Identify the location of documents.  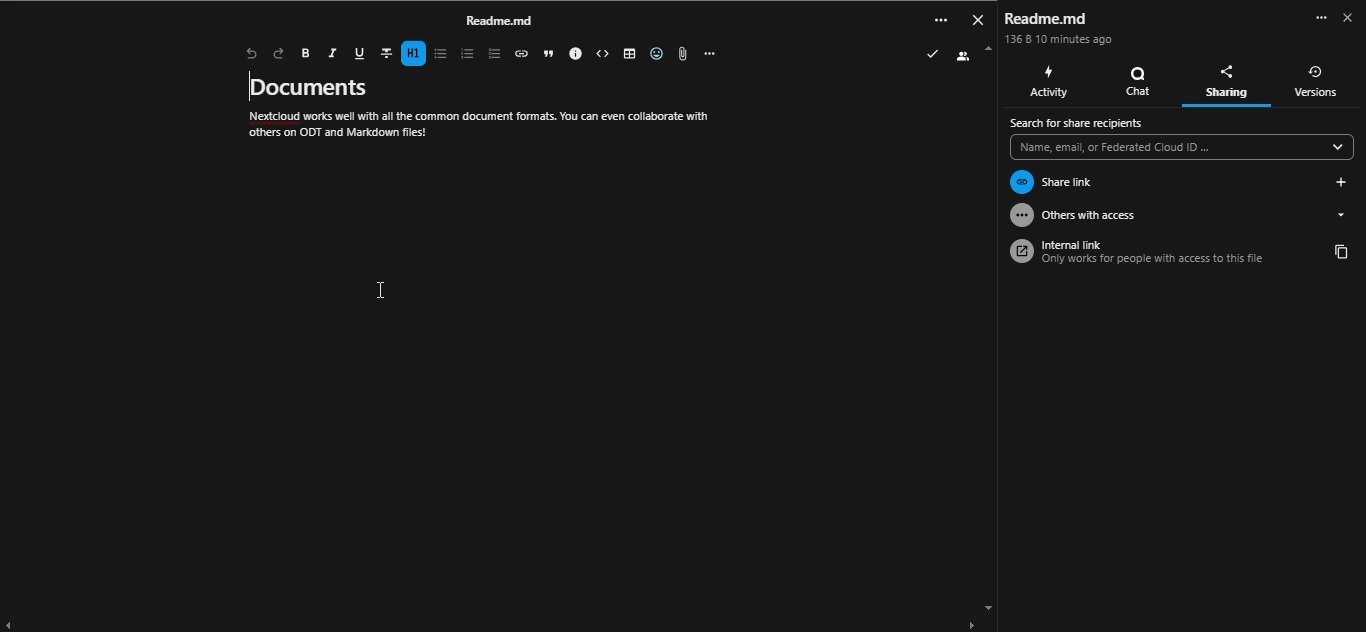
(317, 85).